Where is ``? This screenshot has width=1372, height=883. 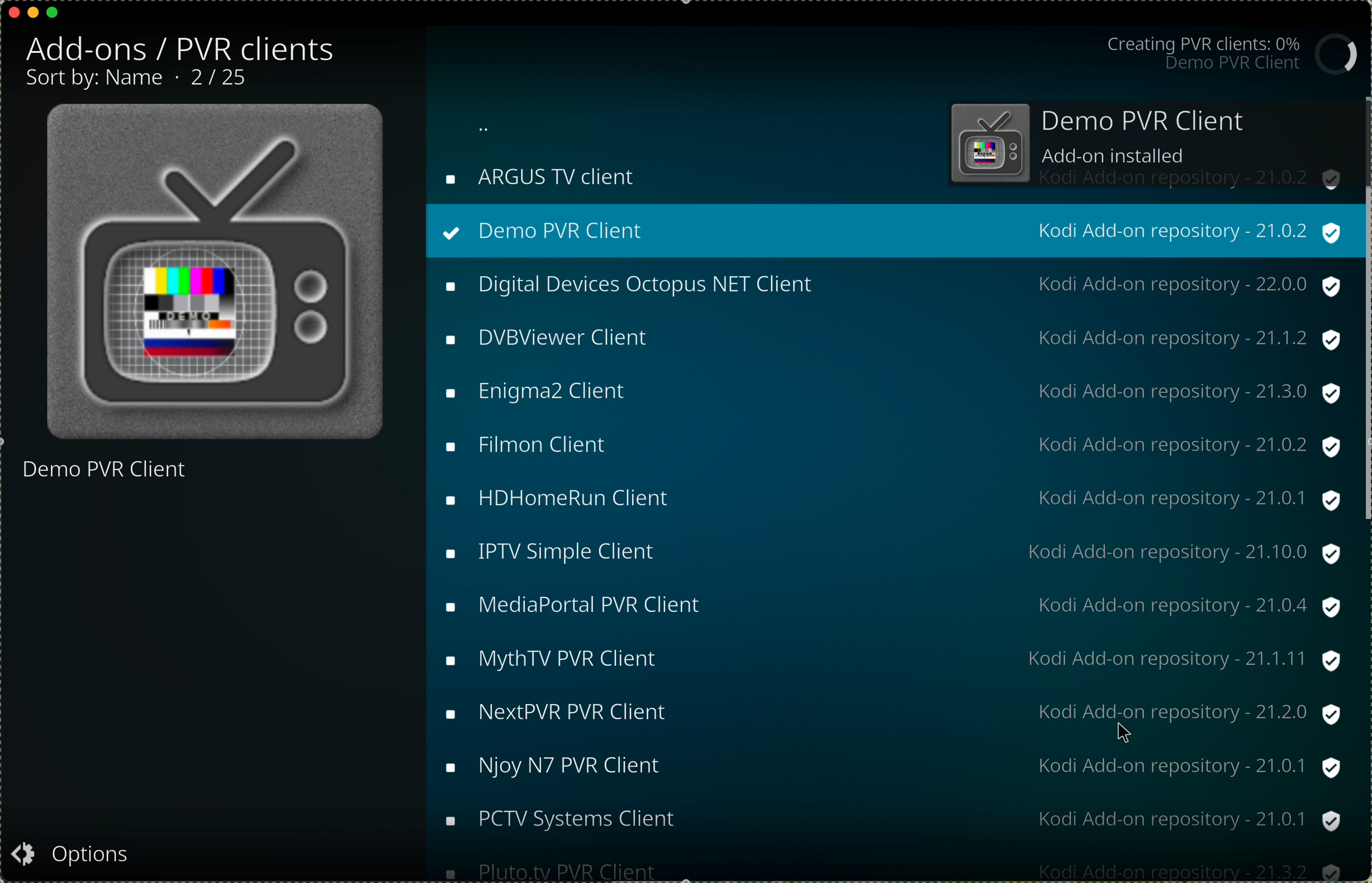  is located at coordinates (889, 448).